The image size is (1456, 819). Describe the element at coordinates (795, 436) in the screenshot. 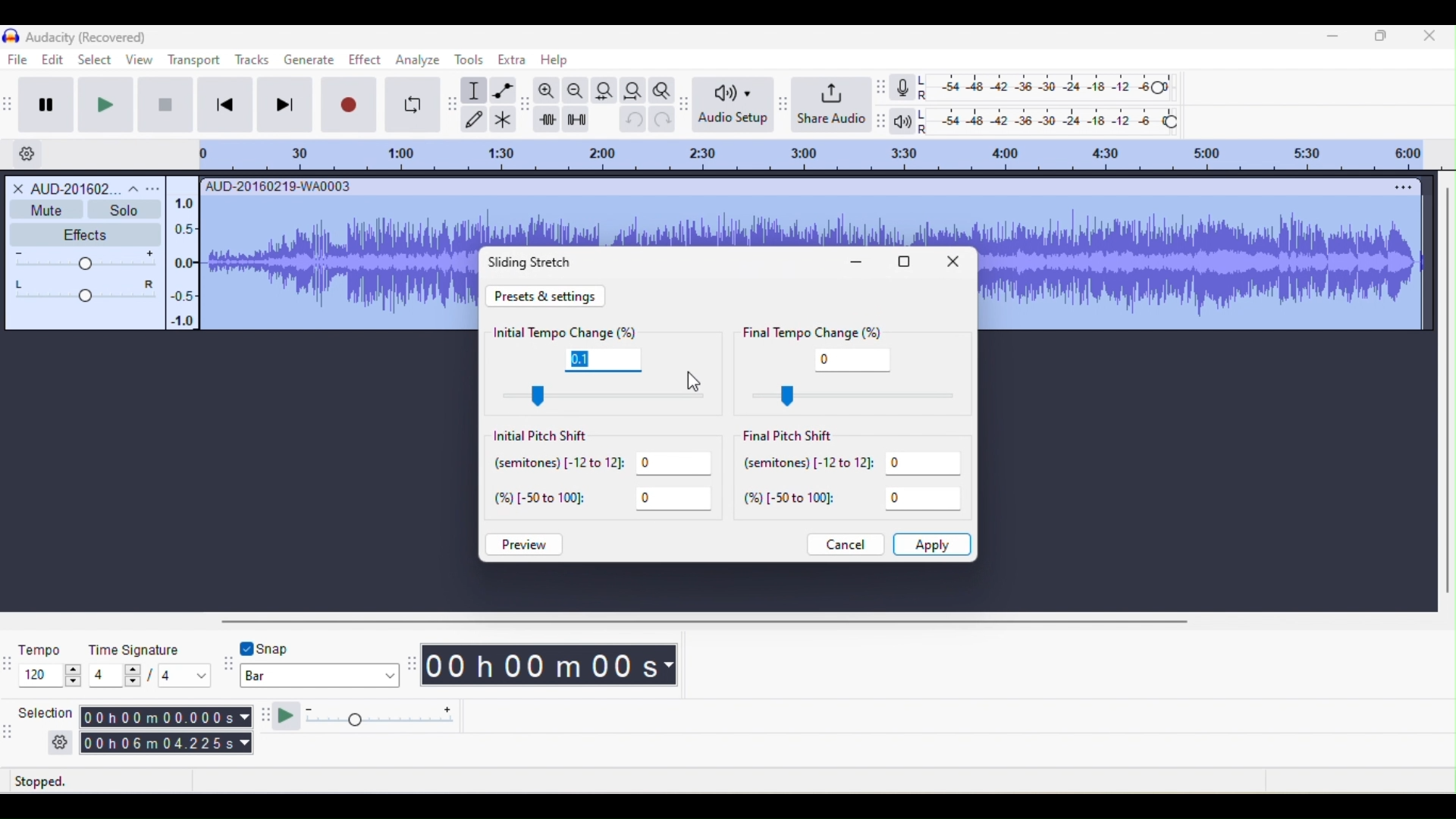

I see `final pitch shift` at that location.